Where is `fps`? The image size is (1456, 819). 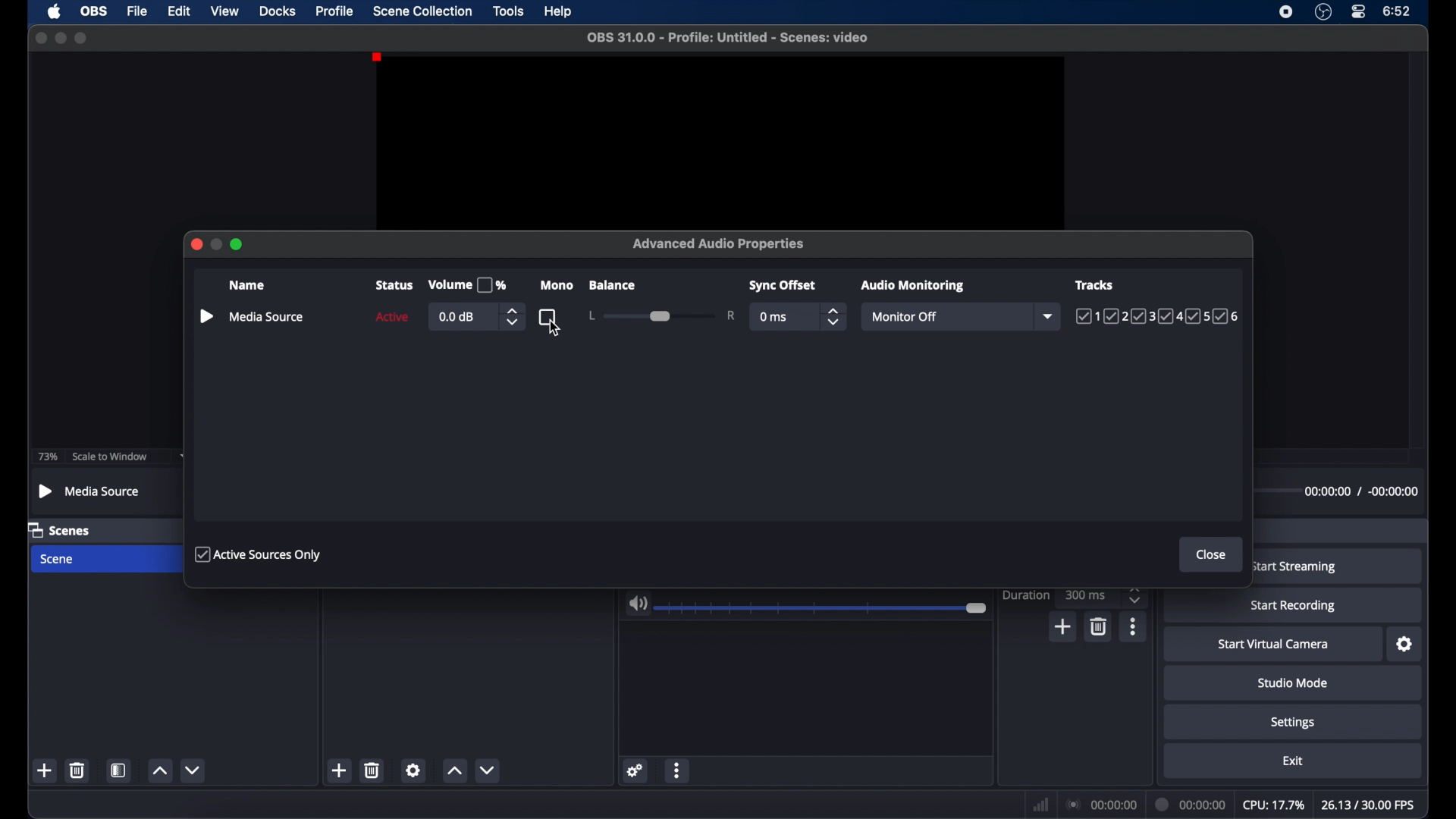
fps is located at coordinates (1368, 805).